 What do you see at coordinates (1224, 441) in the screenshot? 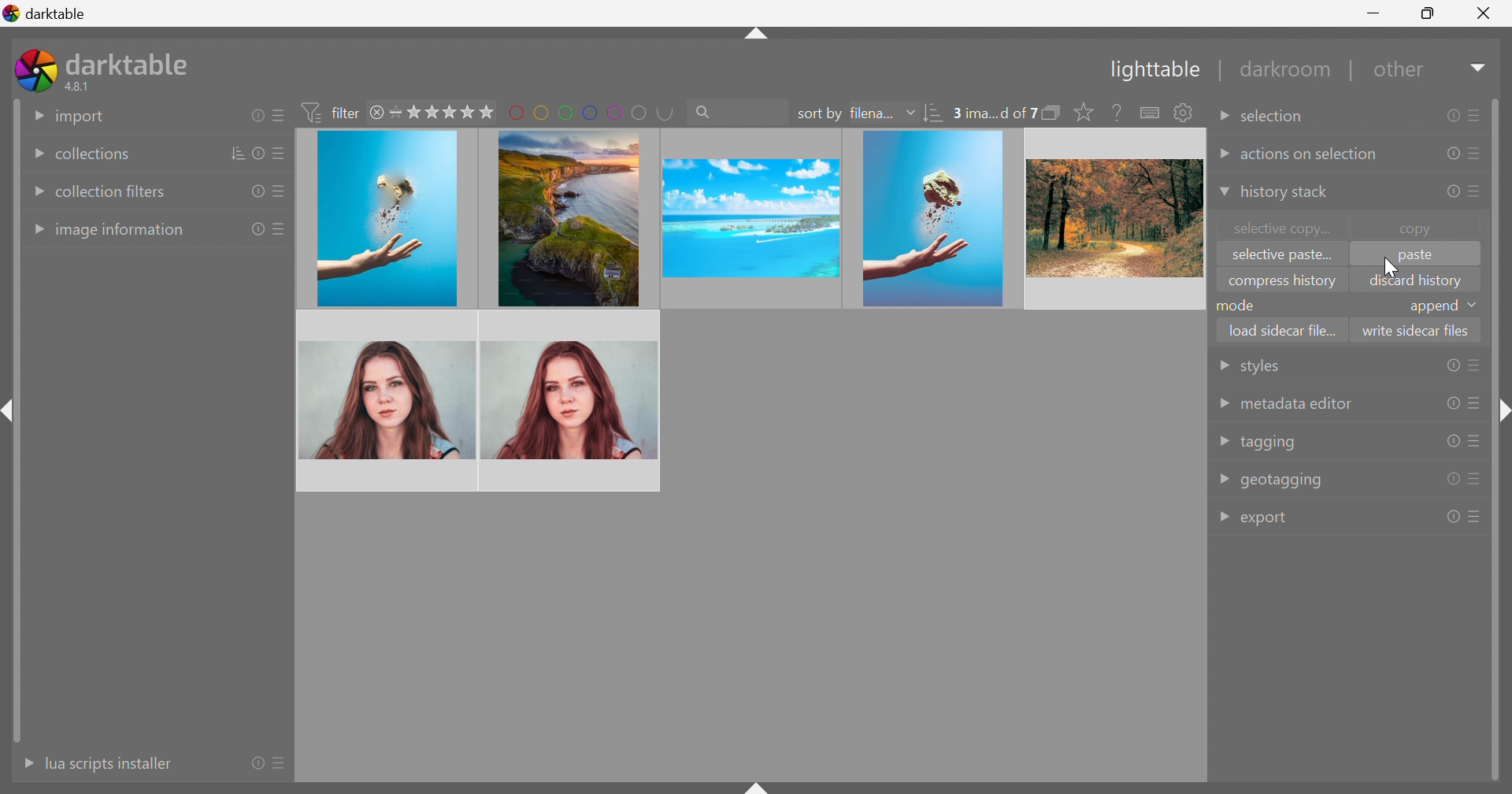
I see `Drop Down` at bounding box center [1224, 441].